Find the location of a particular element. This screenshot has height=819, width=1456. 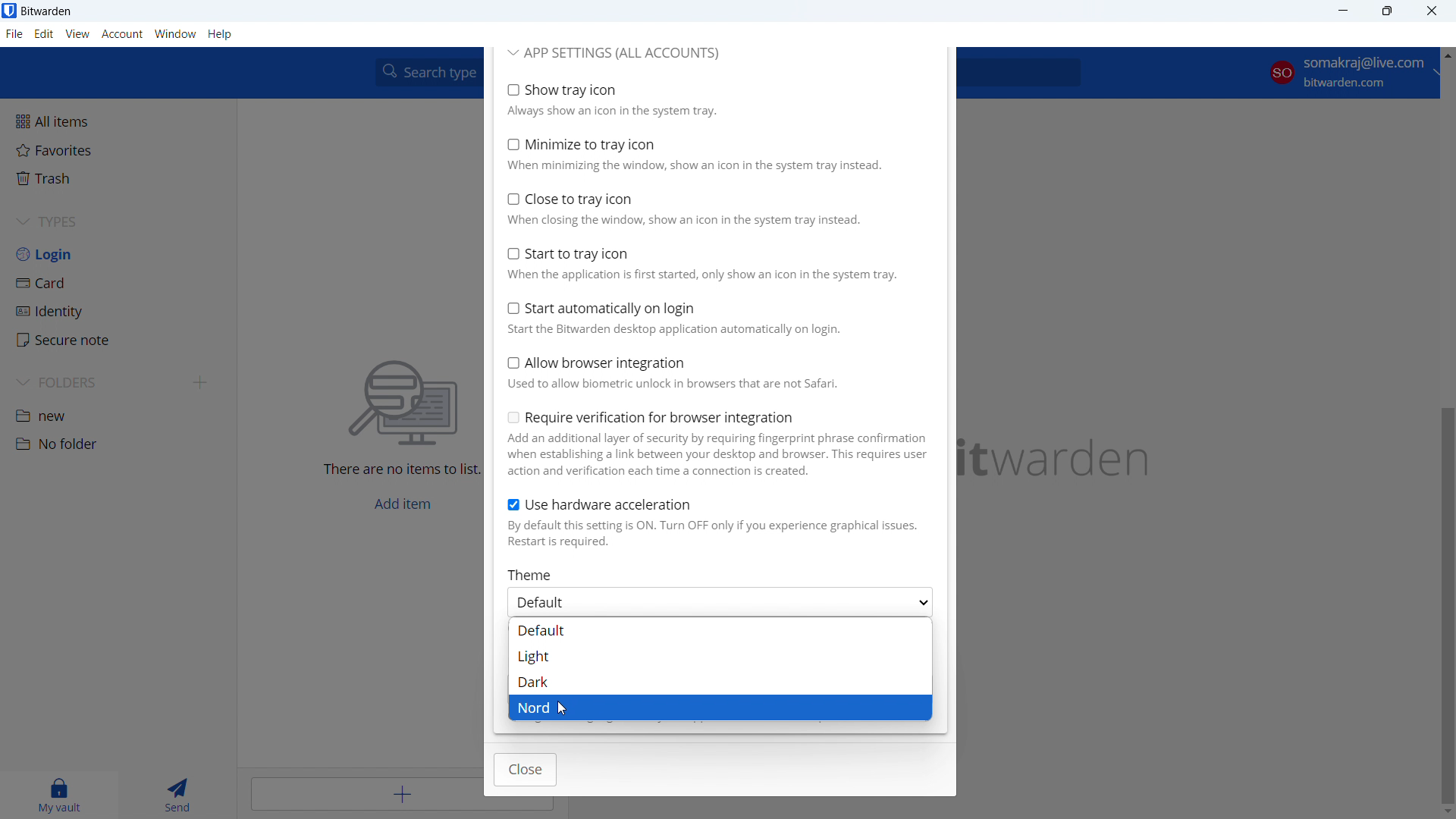

app settings for all accounts is located at coordinates (614, 54).